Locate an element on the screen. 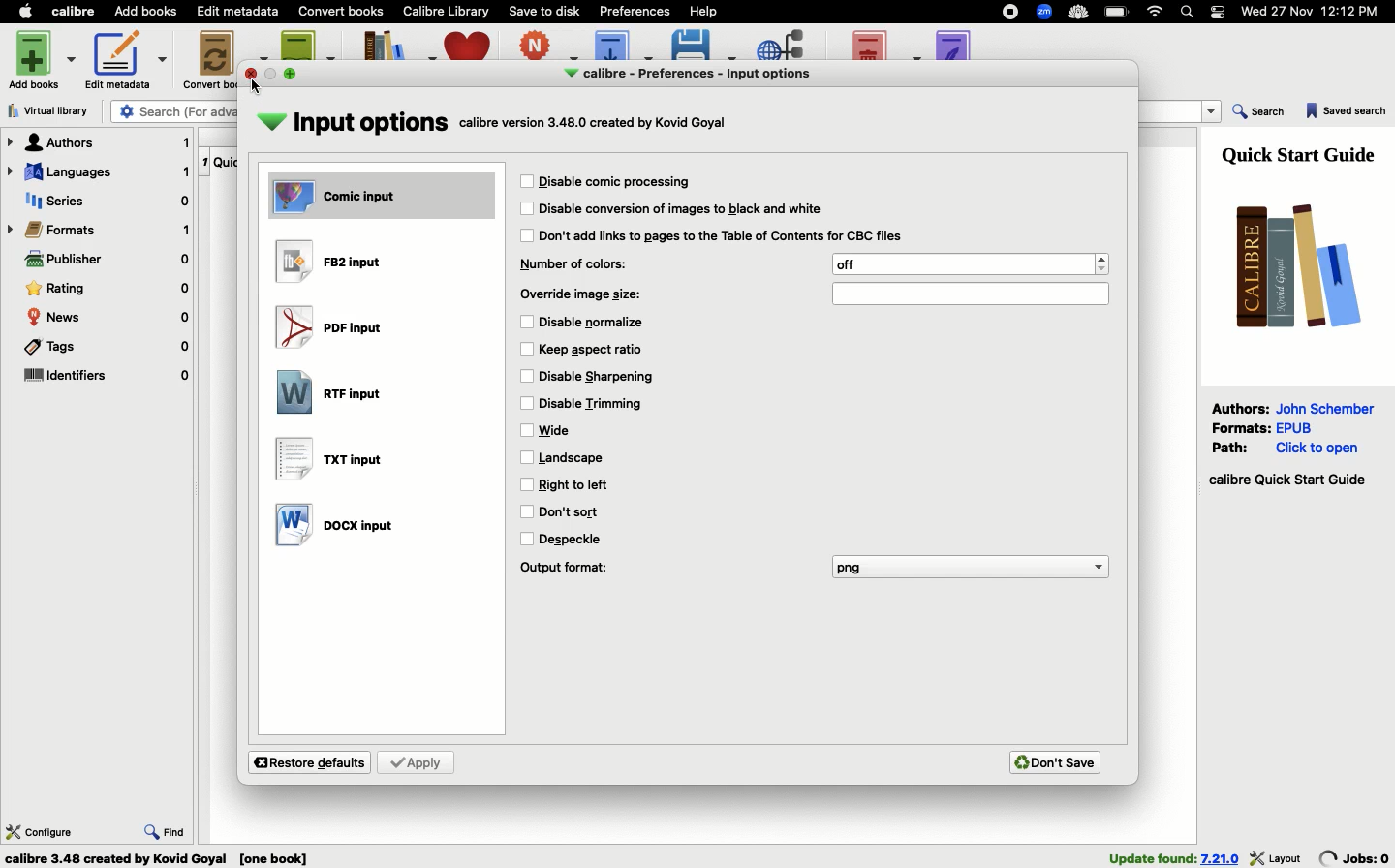 This screenshot has width=1395, height=868. Output format is located at coordinates (567, 570).